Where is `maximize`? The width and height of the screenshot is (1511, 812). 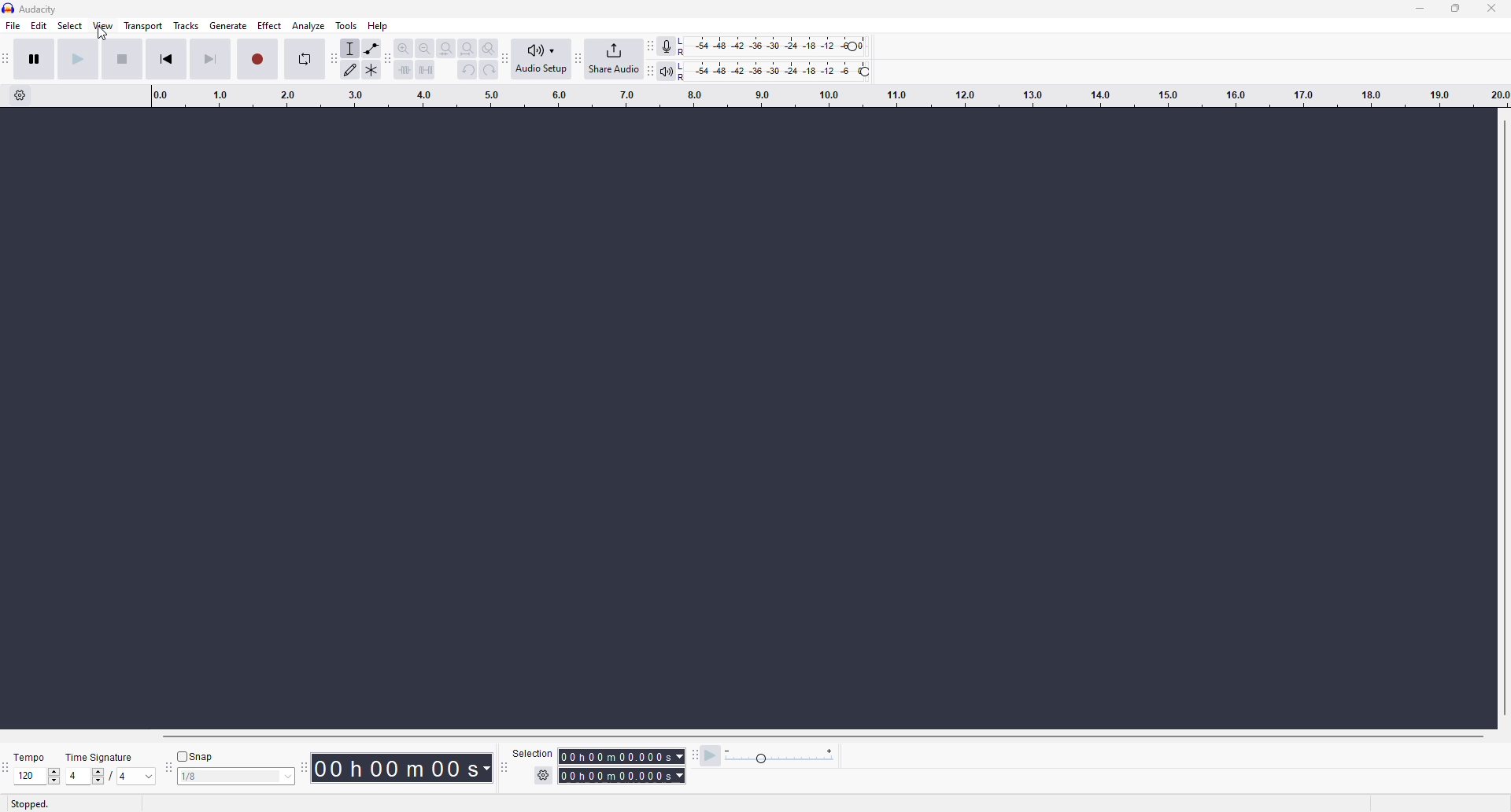
maximize is located at coordinates (1456, 8).